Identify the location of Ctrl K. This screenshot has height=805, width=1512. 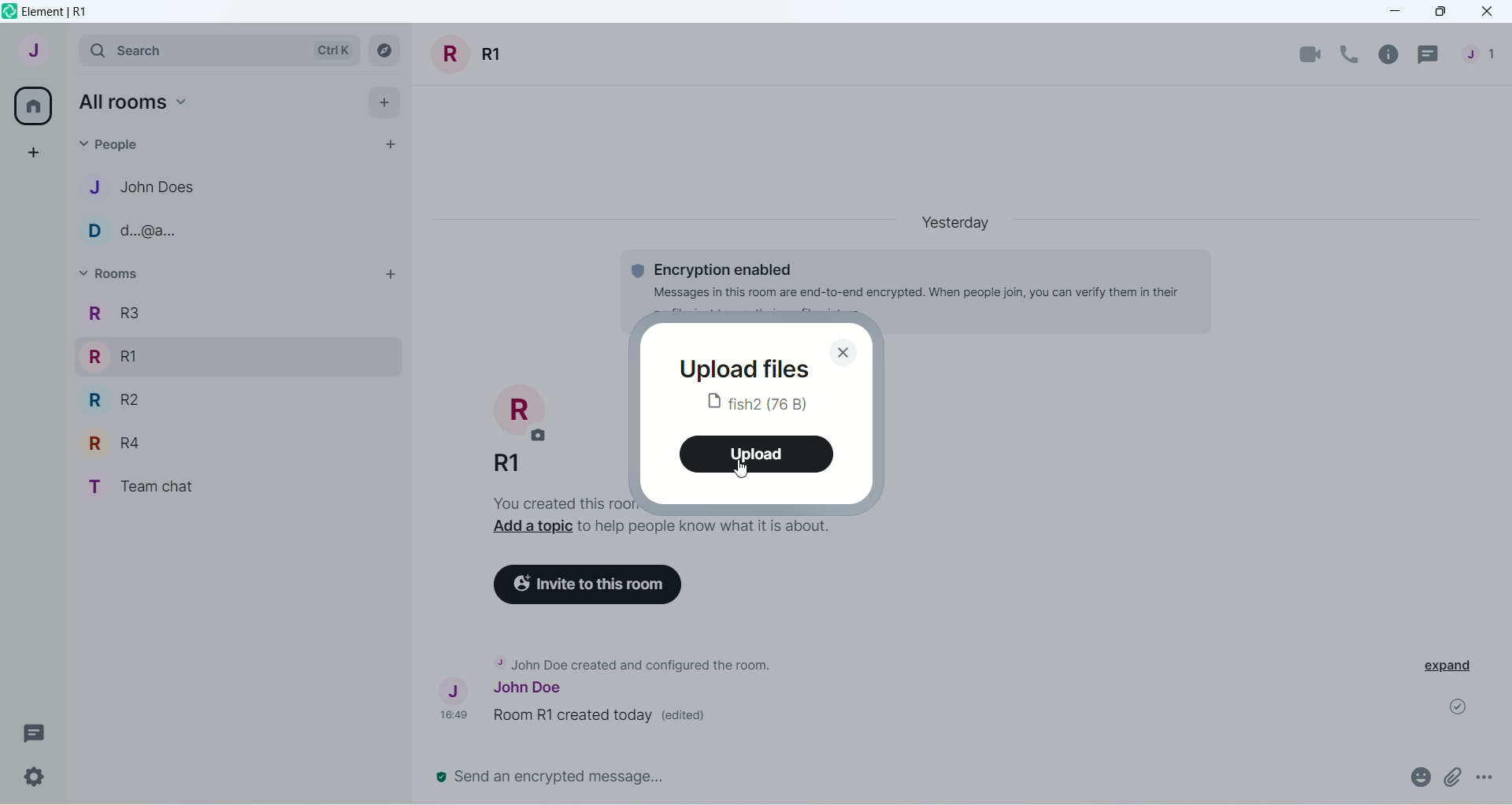
(325, 50).